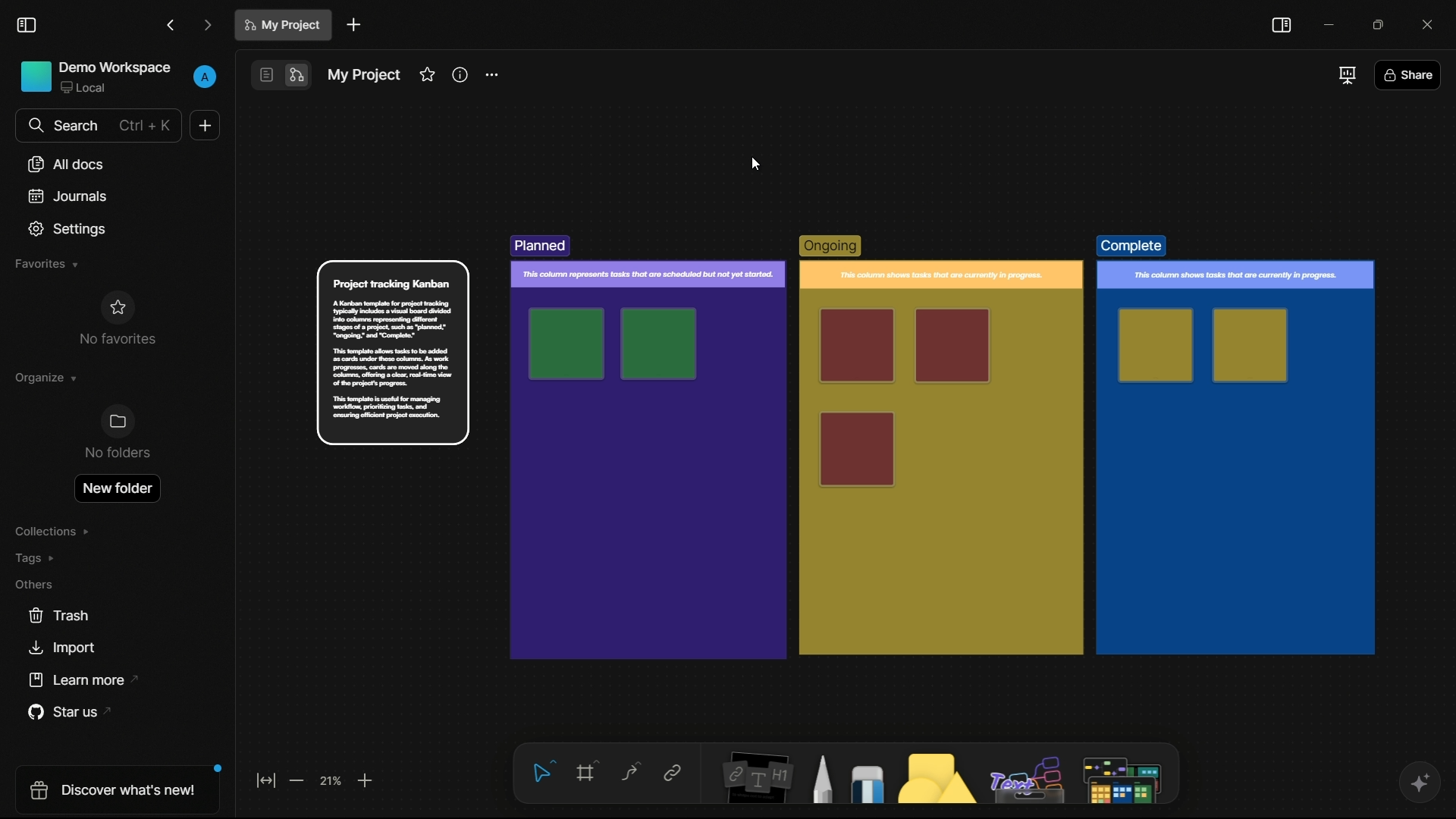 The image size is (1456, 819). I want to click on import, so click(61, 648).